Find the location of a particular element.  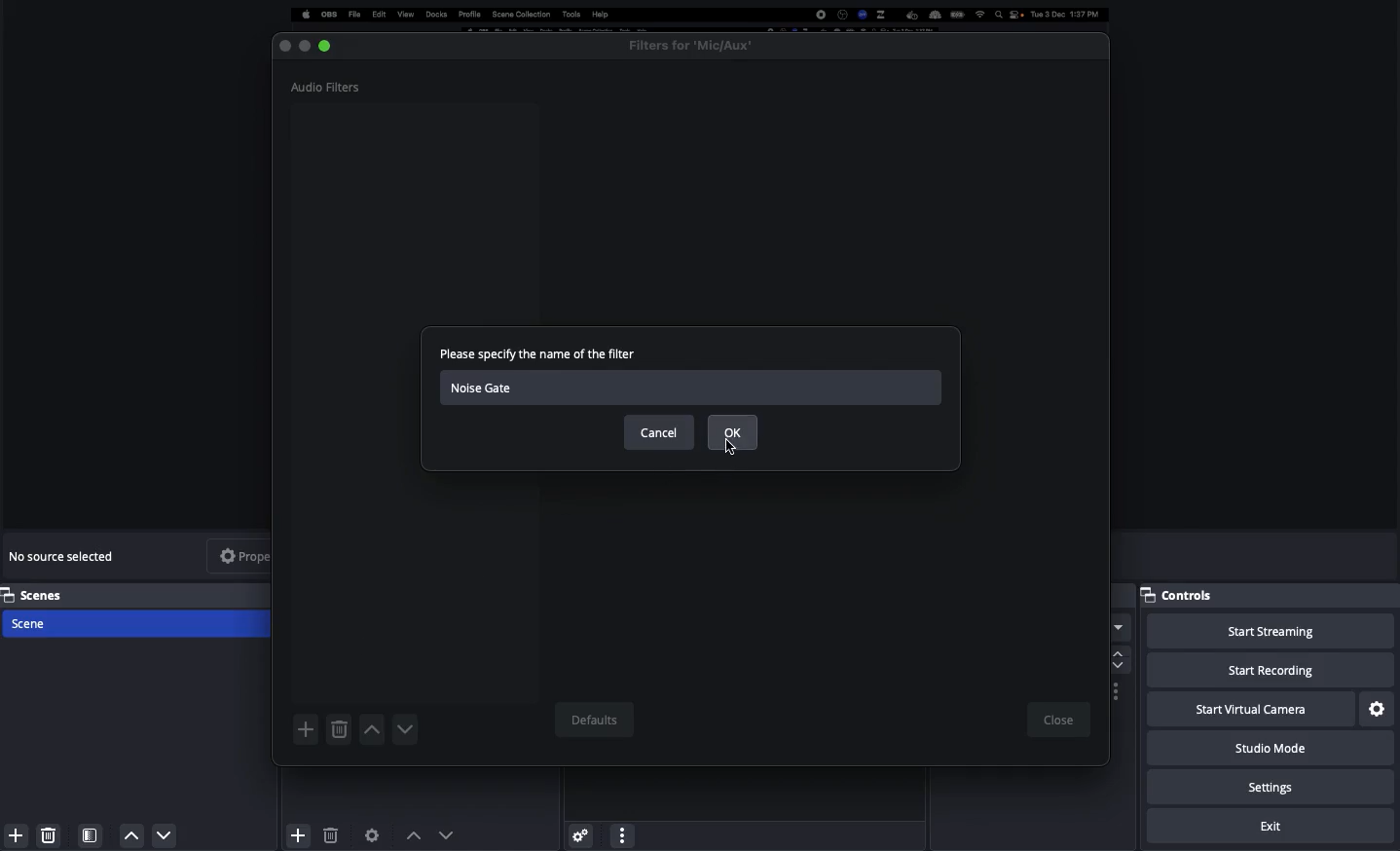

Start recording is located at coordinates (1271, 672).